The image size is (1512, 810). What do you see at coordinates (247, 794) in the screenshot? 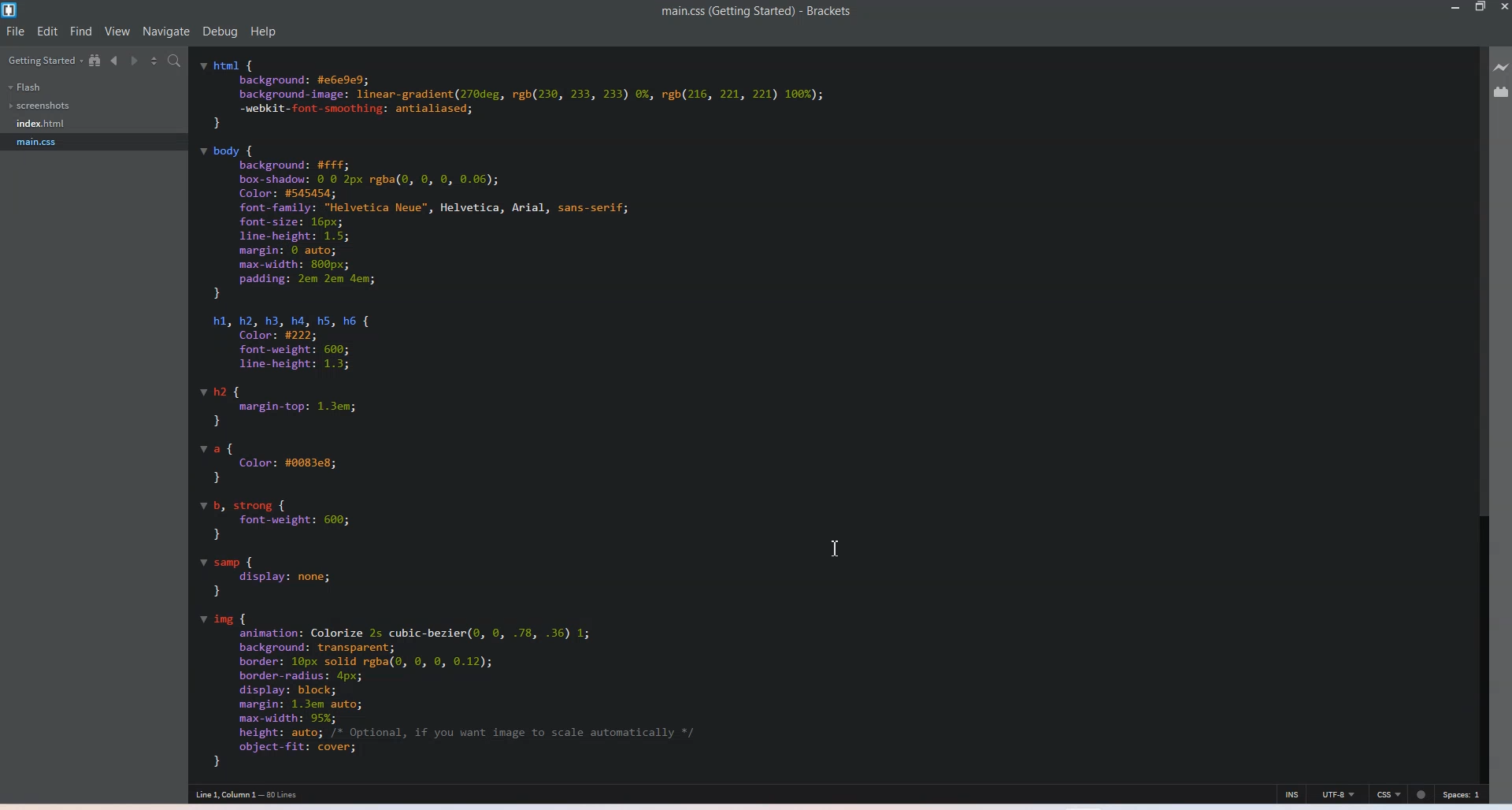
I see `Line 1, column 1 - 80 lines` at bounding box center [247, 794].